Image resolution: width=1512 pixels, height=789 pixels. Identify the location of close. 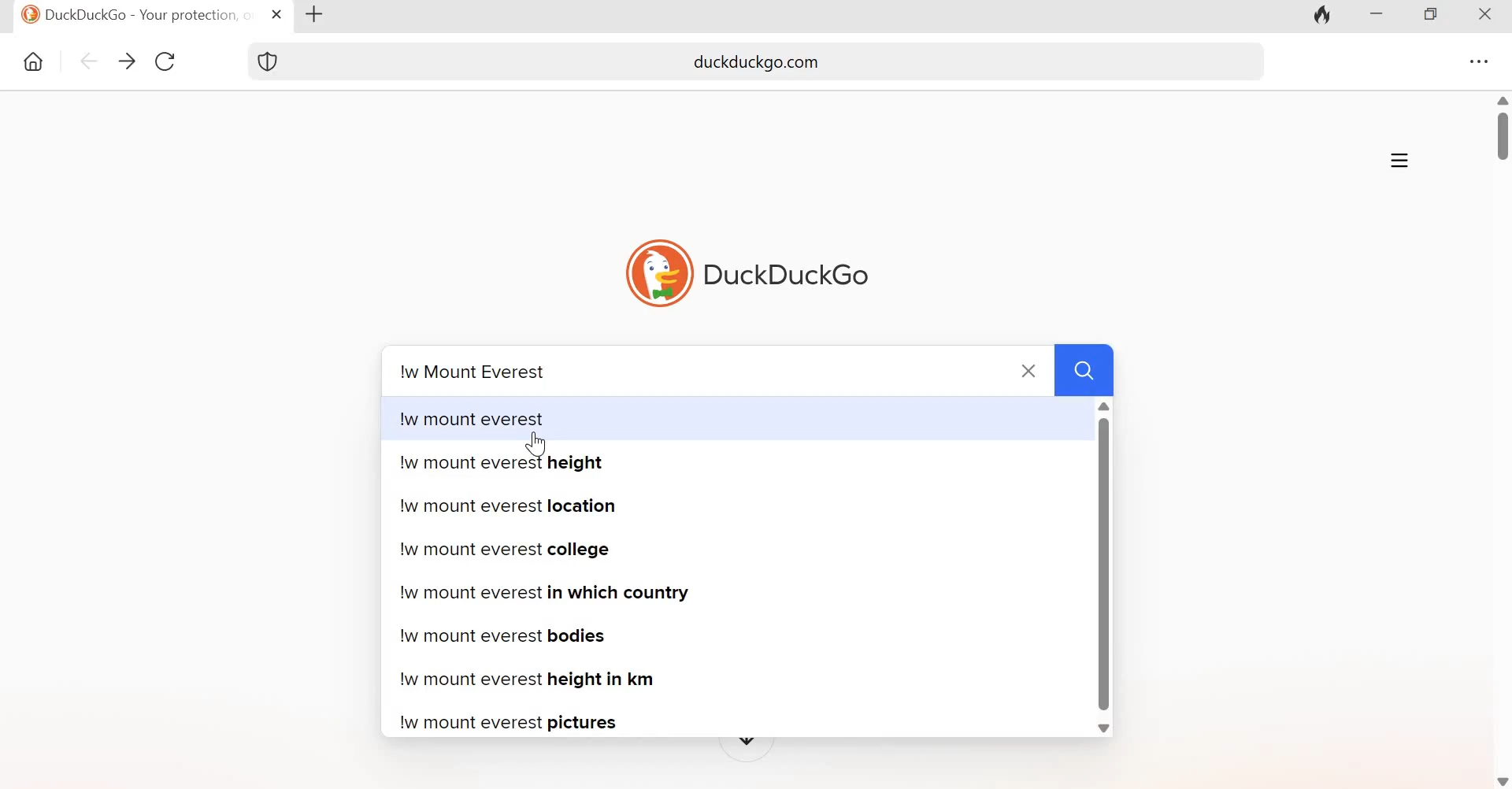
(1031, 369).